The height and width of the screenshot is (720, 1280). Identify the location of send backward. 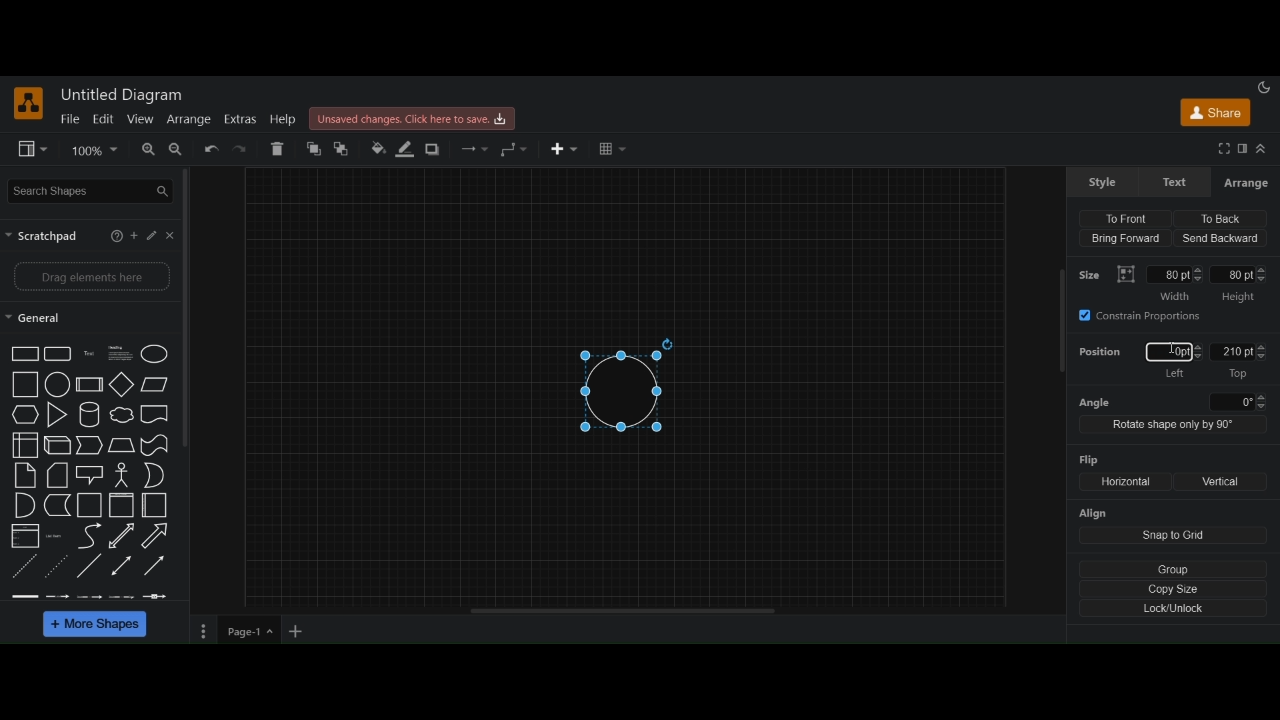
(1221, 238).